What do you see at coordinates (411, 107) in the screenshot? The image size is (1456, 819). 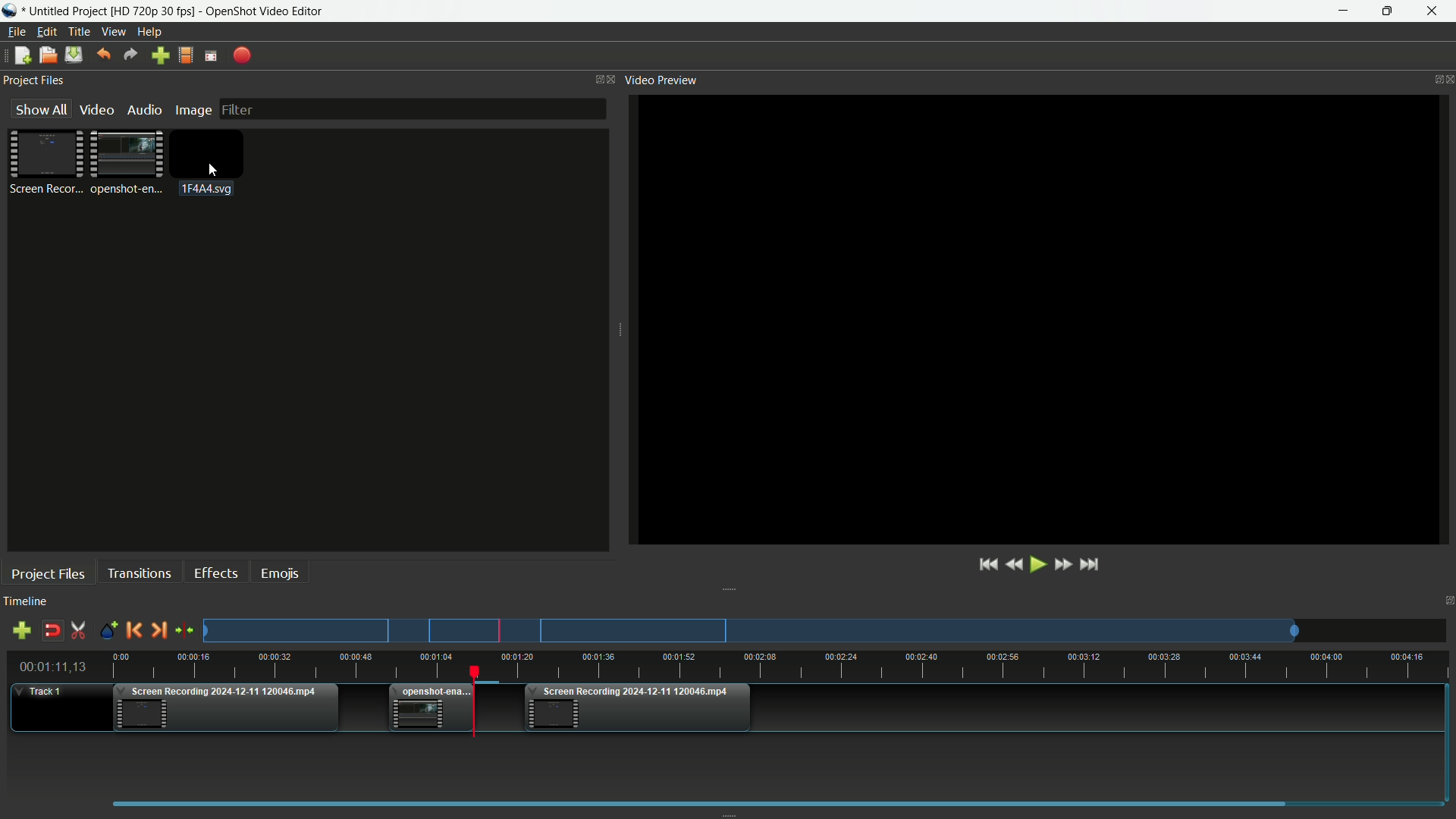 I see `filter bar` at bounding box center [411, 107].